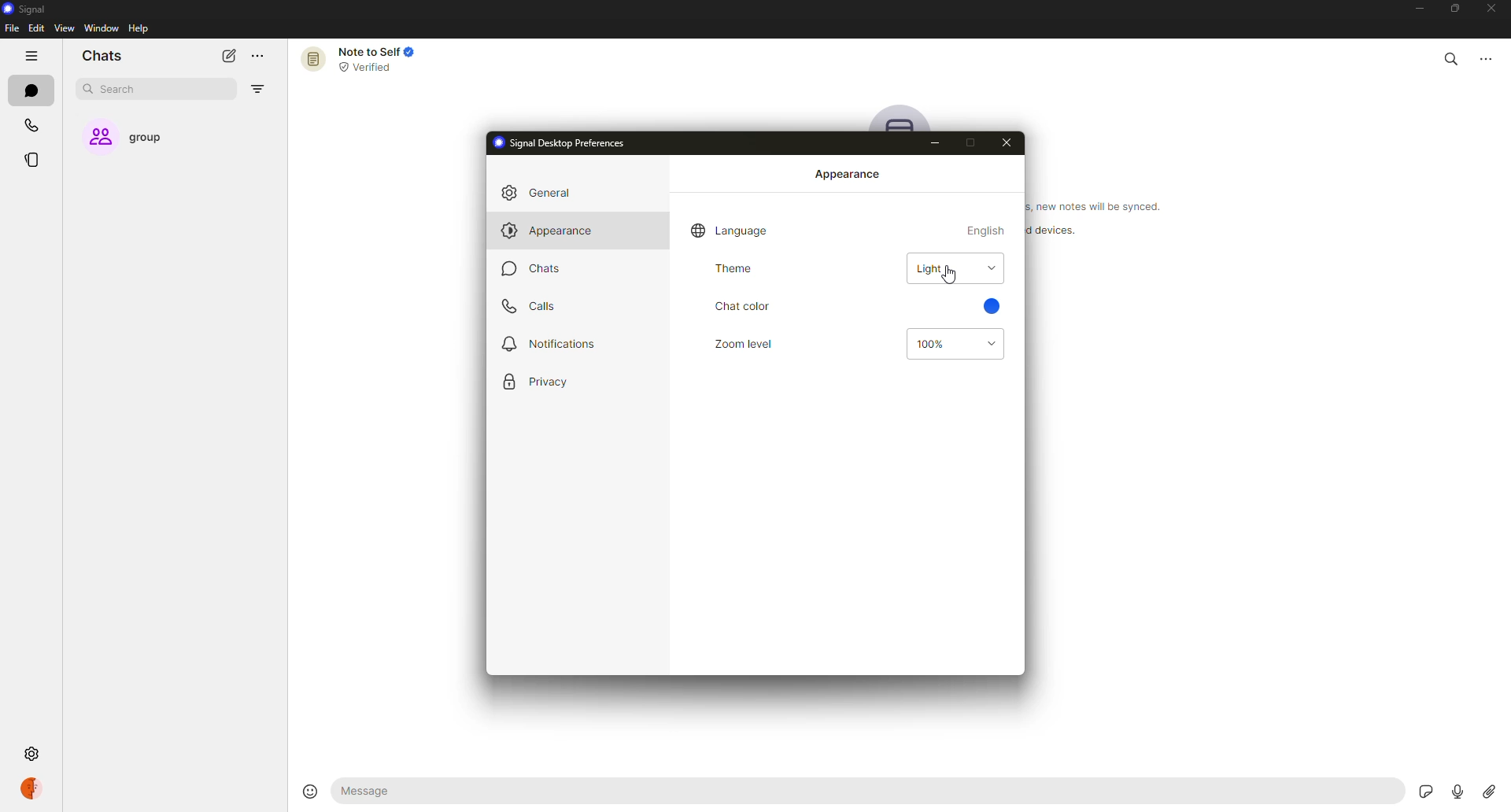  I want to click on close, so click(1008, 142).